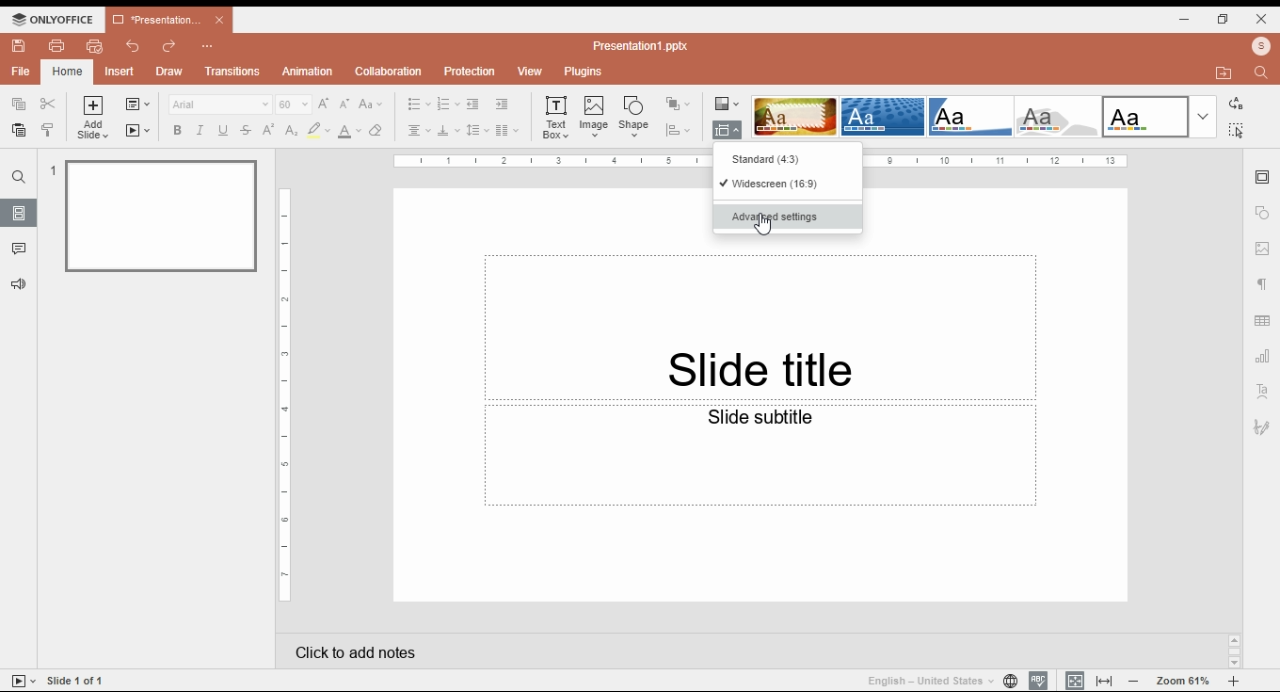 The width and height of the screenshot is (1280, 692). What do you see at coordinates (472, 105) in the screenshot?
I see `decrease indent` at bounding box center [472, 105].